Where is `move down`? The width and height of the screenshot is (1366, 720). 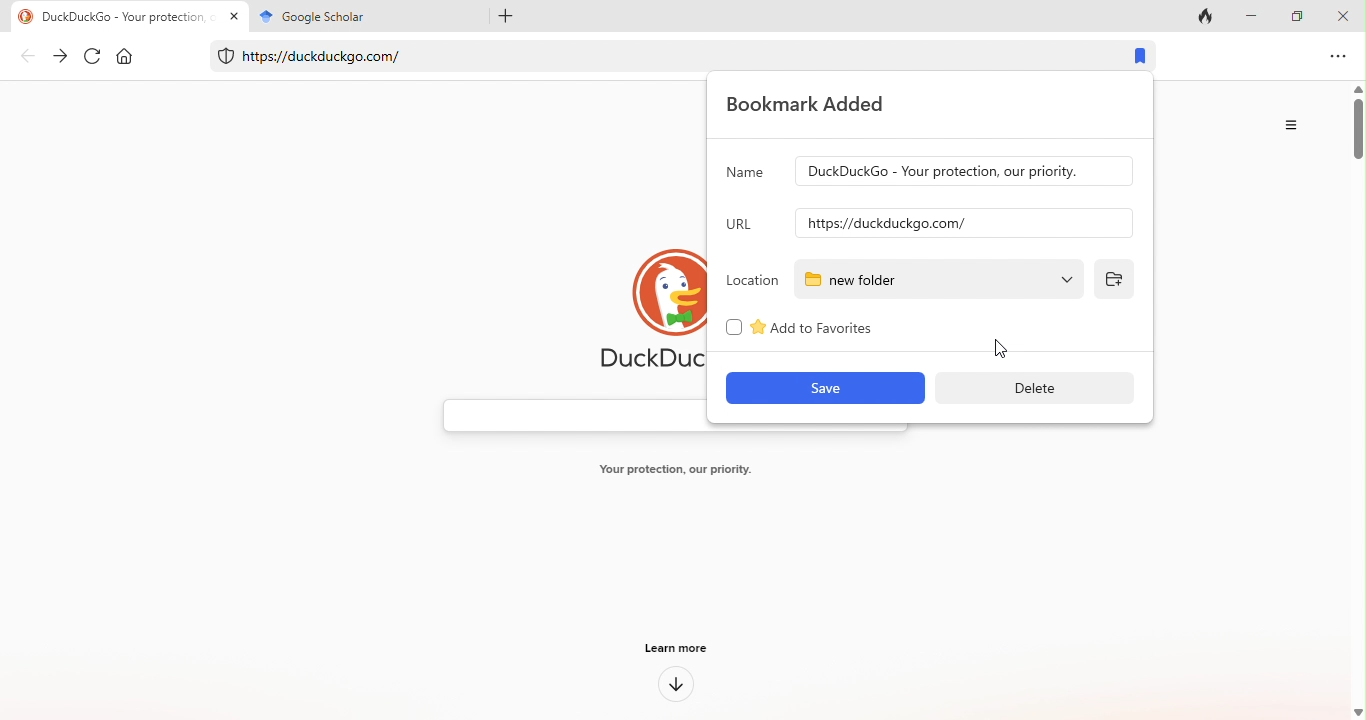
move down is located at coordinates (1357, 712).